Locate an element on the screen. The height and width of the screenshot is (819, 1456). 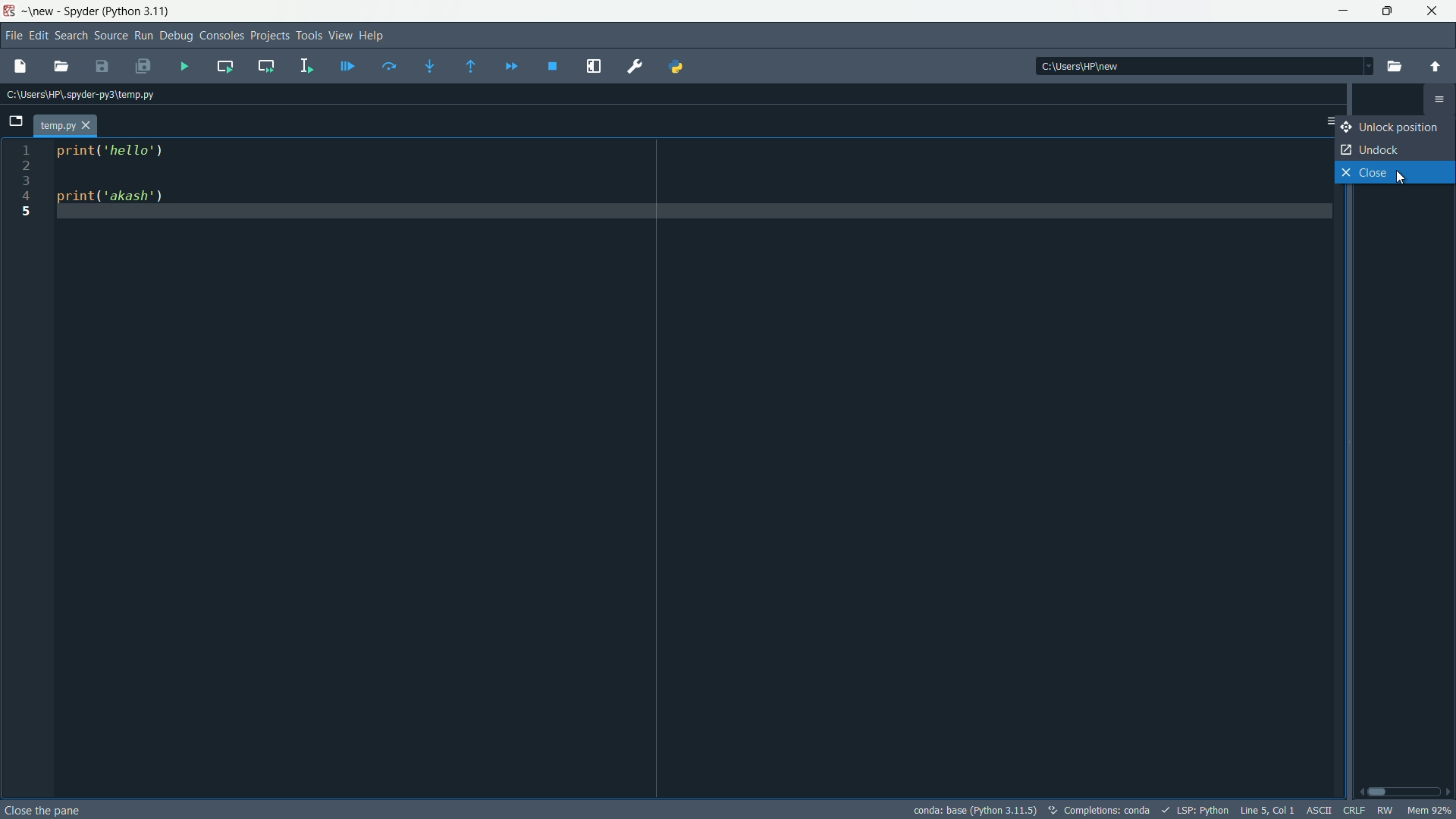
run untill next function is located at coordinates (468, 66).